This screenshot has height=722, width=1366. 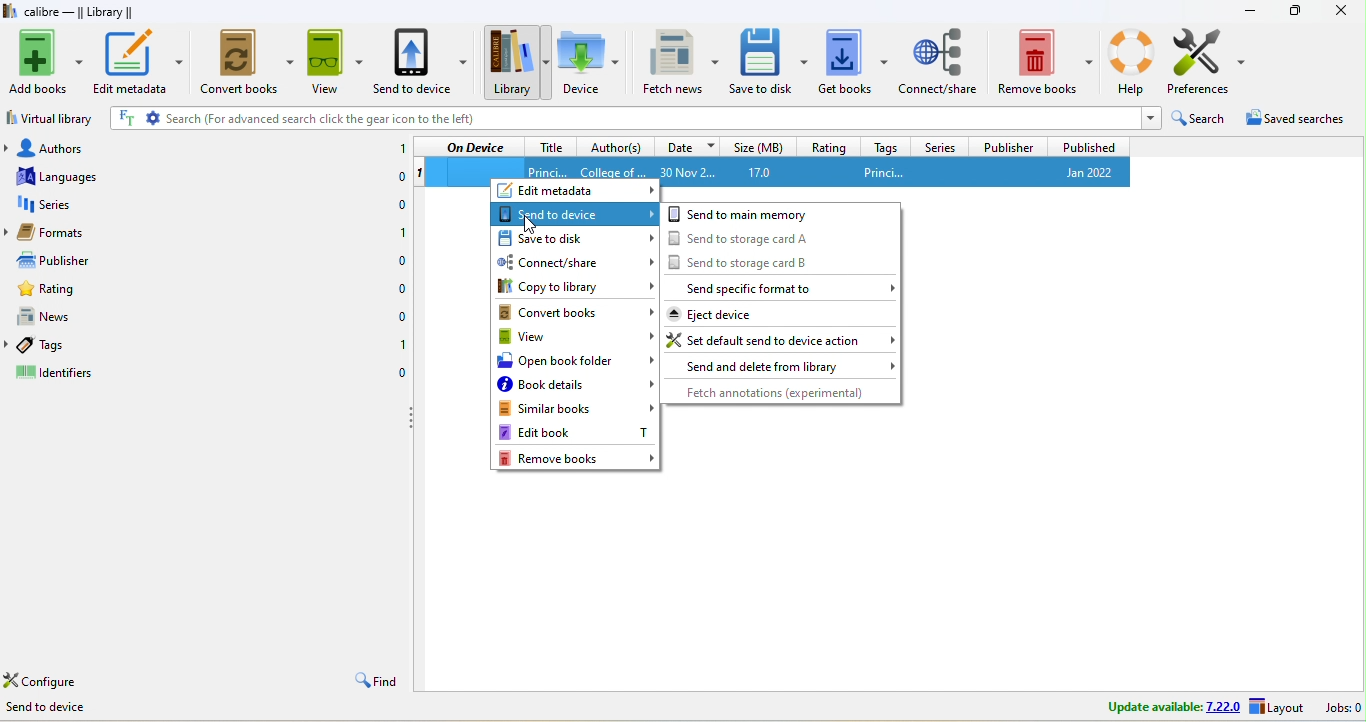 What do you see at coordinates (249, 62) in the screenshot?
I see `convert books` at bounding box center [249, 62].